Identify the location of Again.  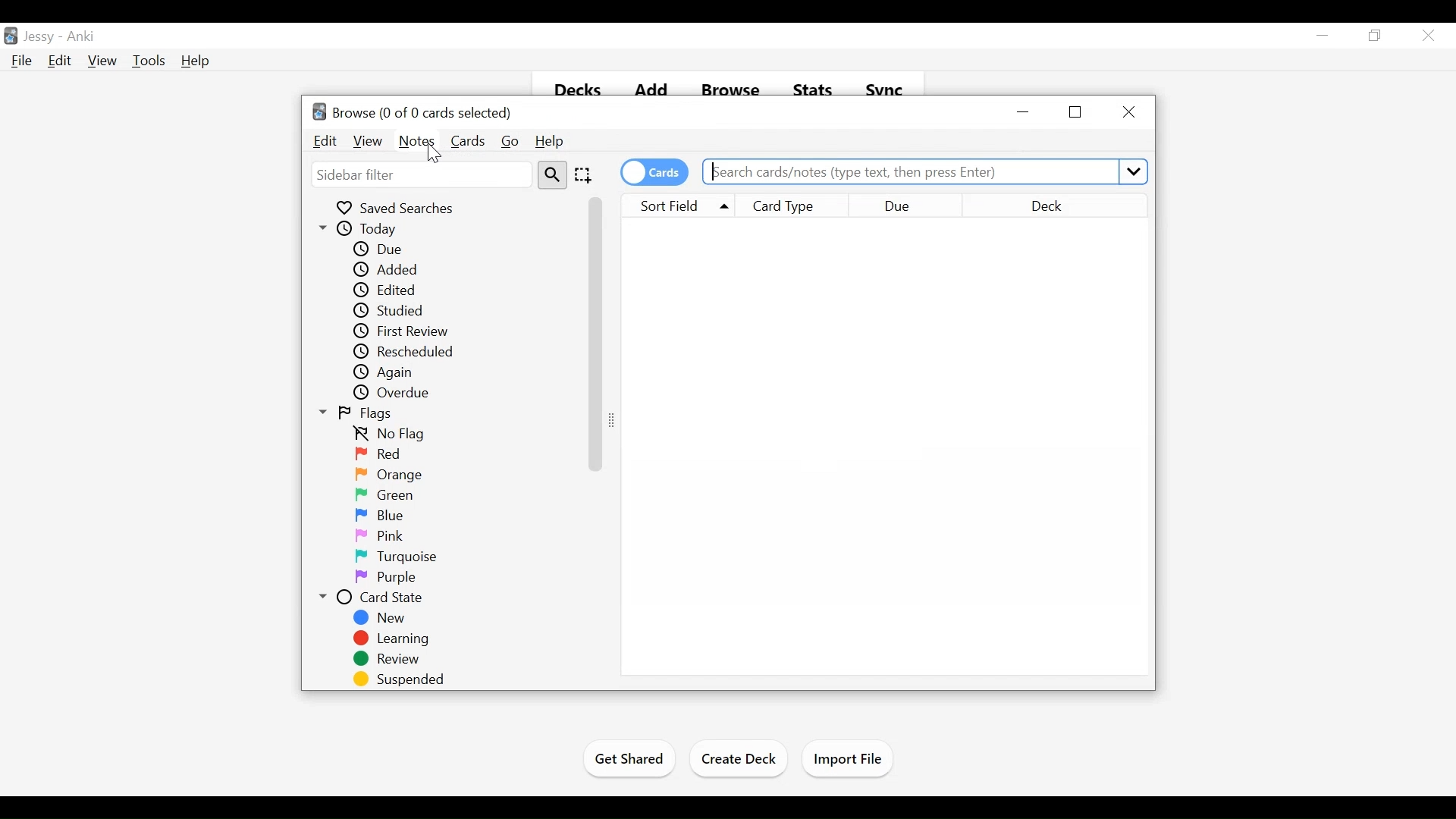
(384, 373).